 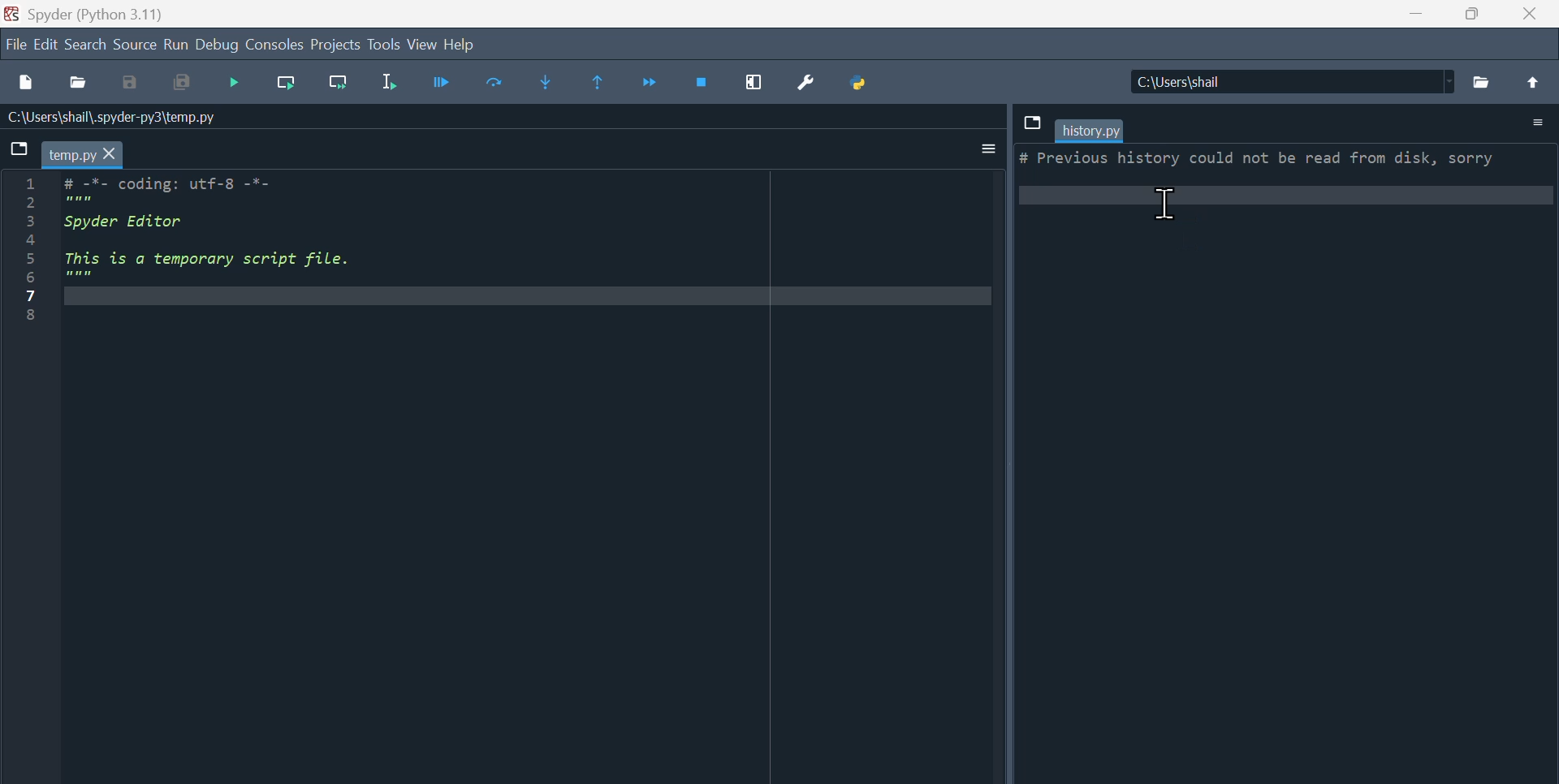 I want to click on , so click(x=235, y=83).